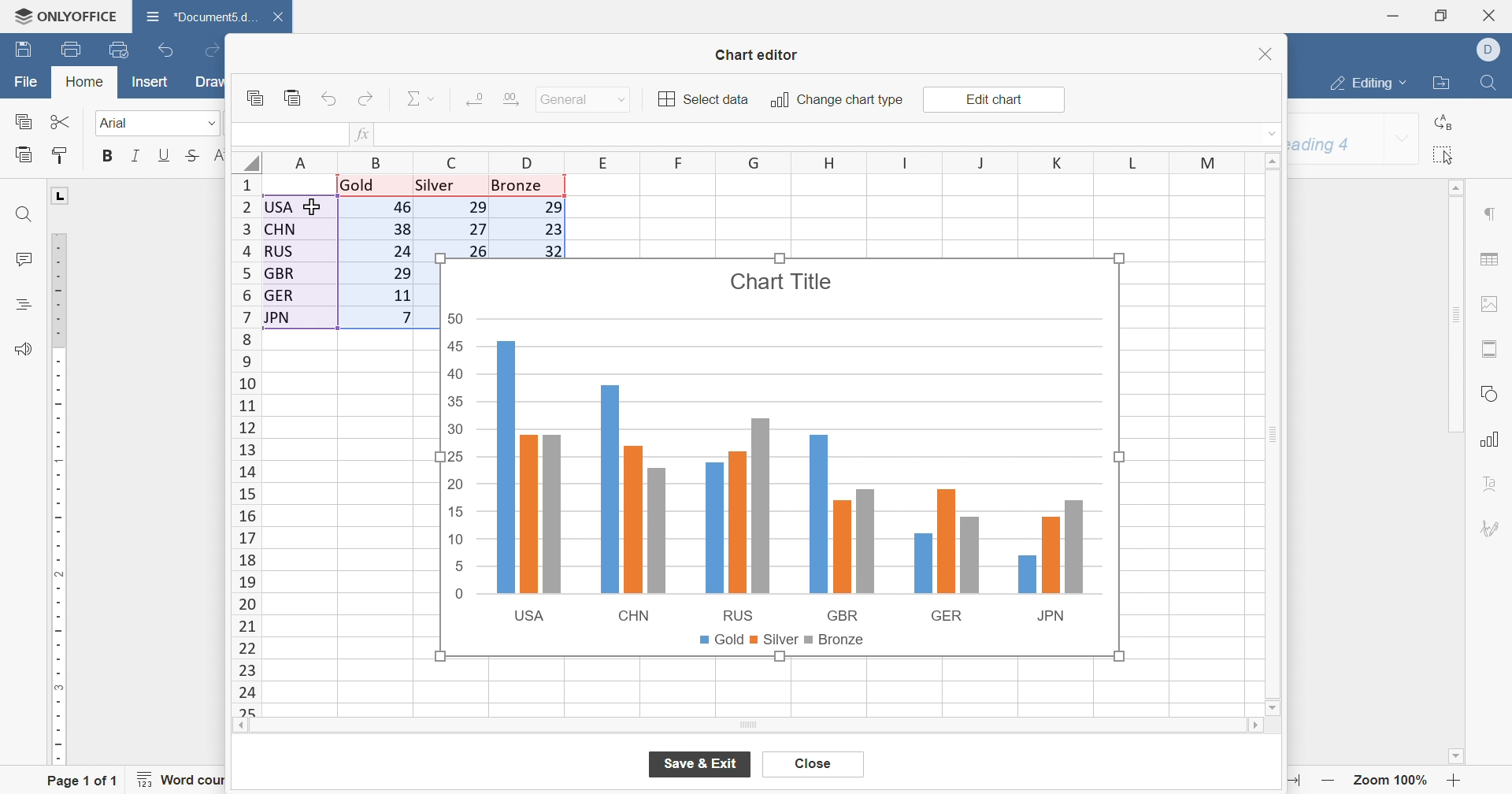 This screenshot has width=1512, height=794. What do you see at coordinates (73, 50) in the screenshot?
I see `print` at bounding box center [73, 50].